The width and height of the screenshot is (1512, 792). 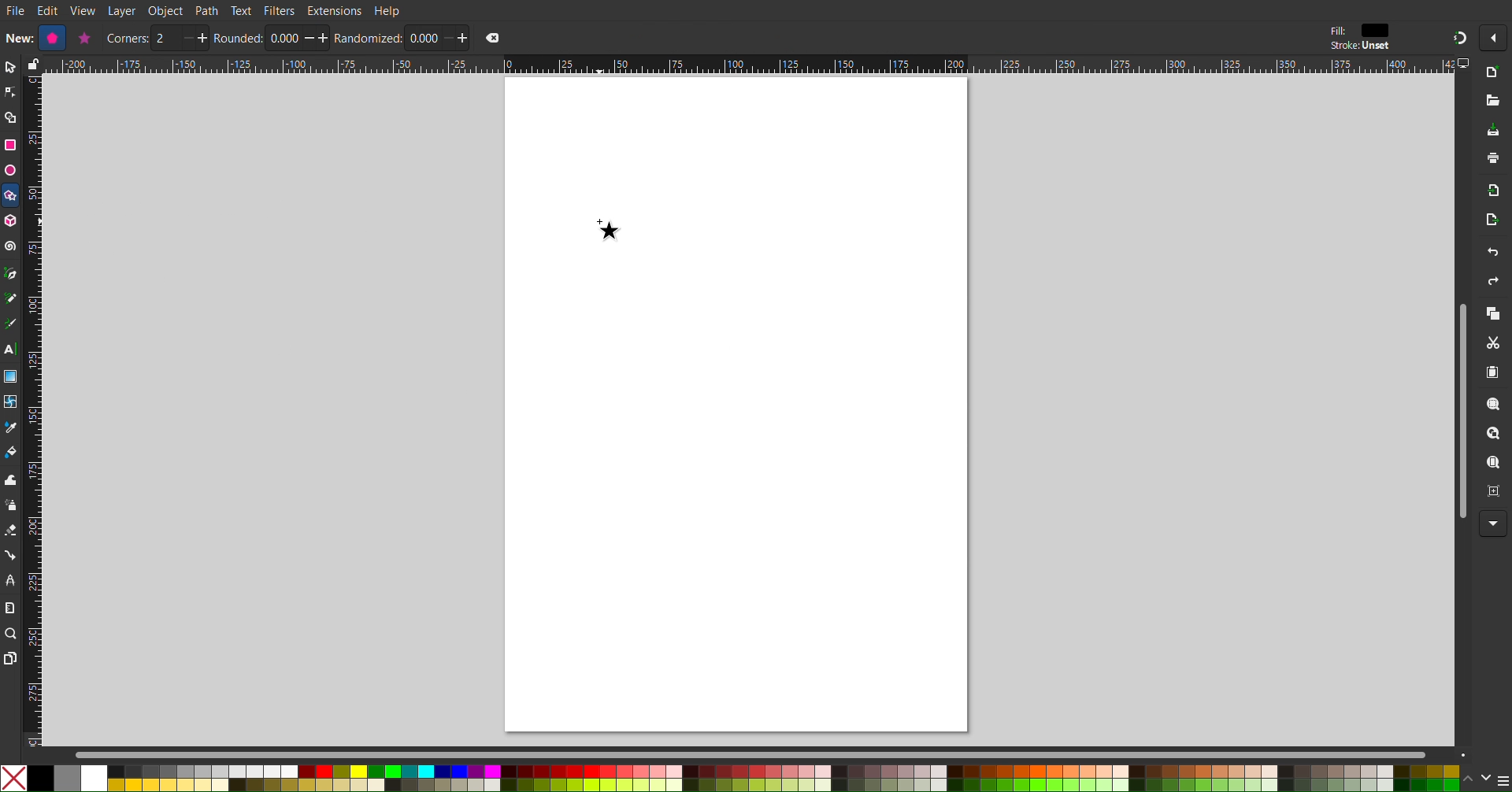 I want to click on Extensions, so click(x=334, y=11).